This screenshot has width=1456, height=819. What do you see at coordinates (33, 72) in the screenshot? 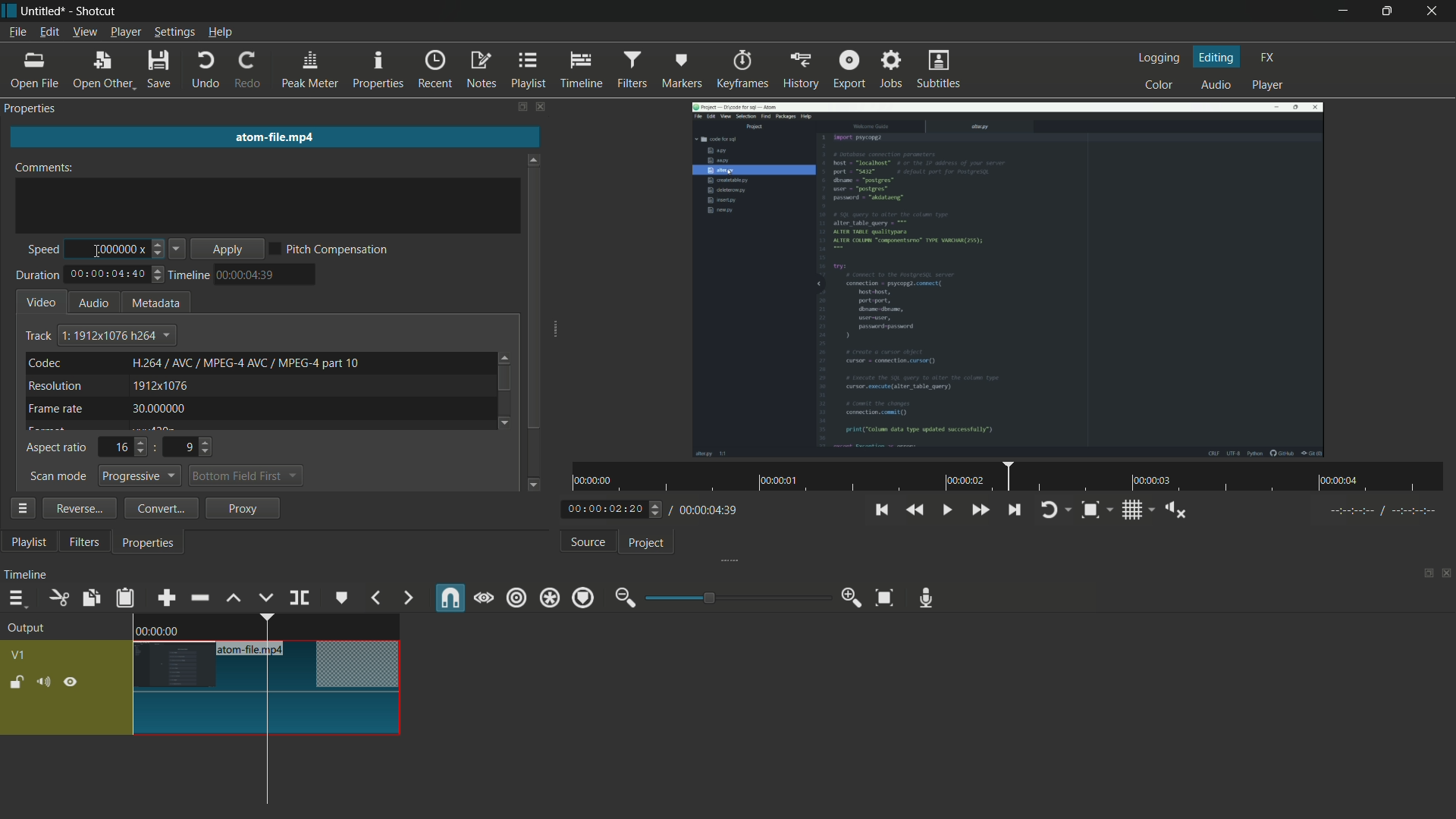
I see `open file` at bounding box center [33, 72].